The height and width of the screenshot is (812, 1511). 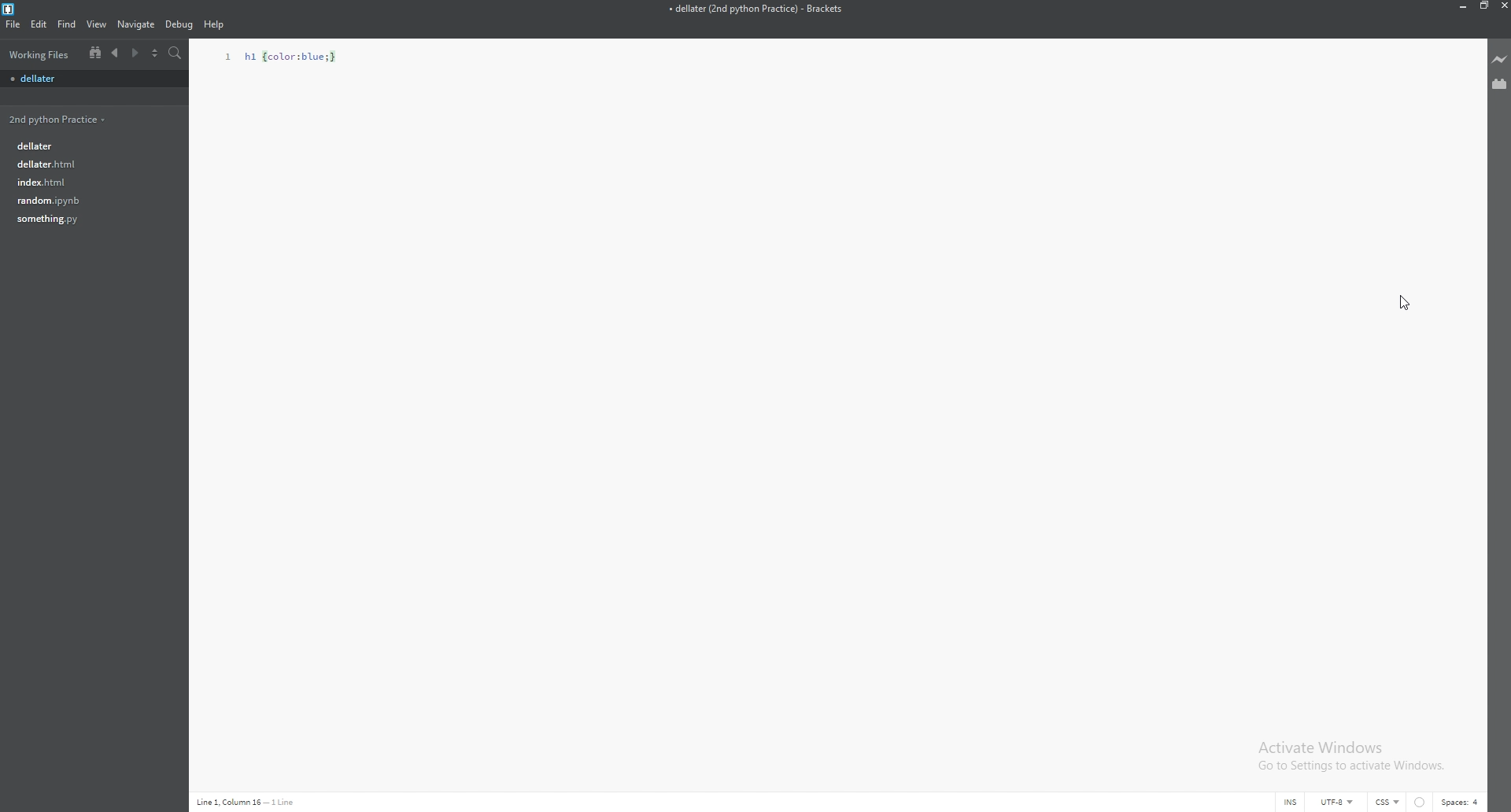 I want to click on working files, so click(x=42, y=54).